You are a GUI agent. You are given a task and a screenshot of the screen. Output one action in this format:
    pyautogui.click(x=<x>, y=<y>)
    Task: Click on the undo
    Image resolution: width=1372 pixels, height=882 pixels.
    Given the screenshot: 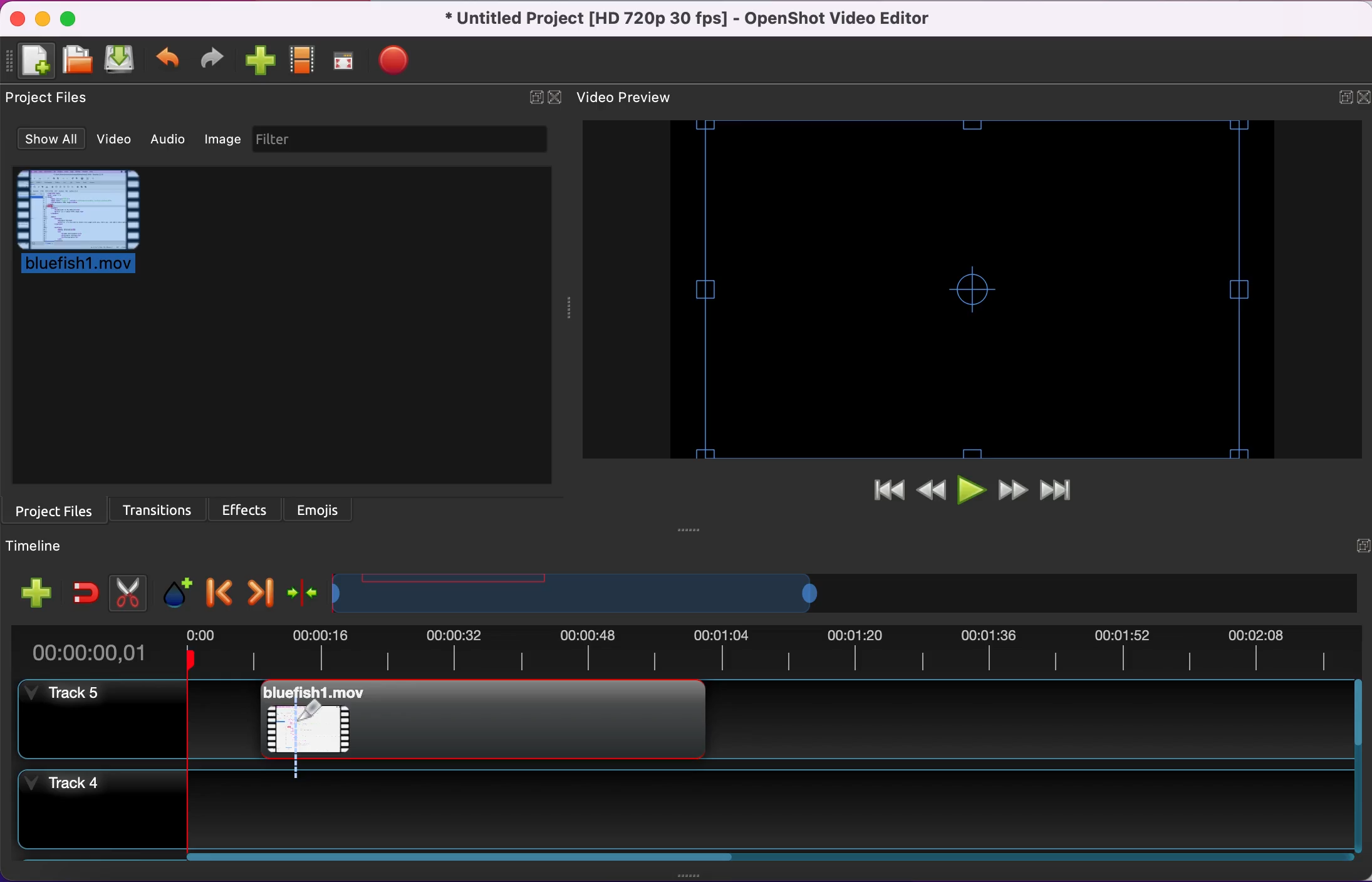 What is the action you would take?
    pyautogui.click(x=169, y=61)
    